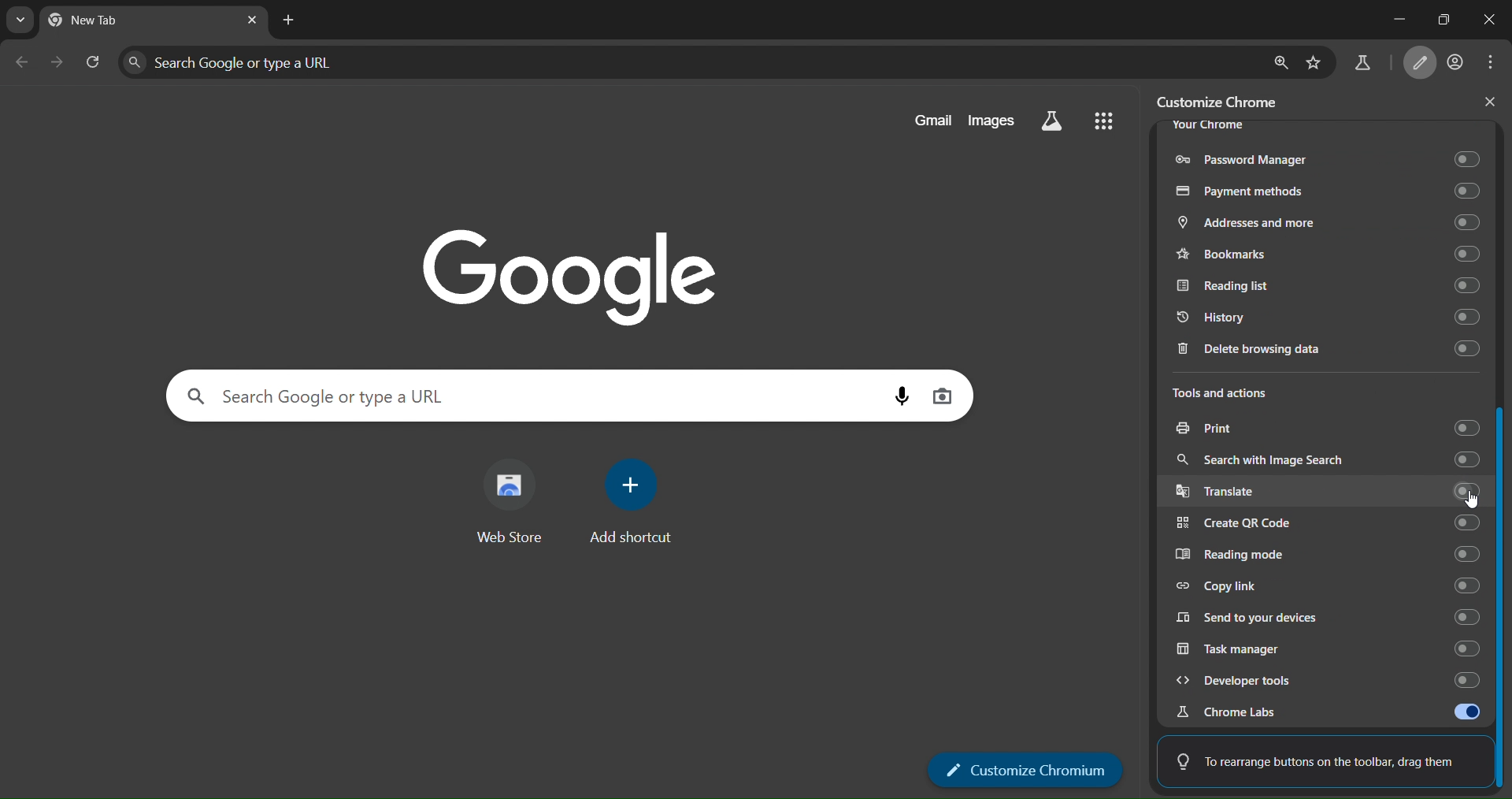 The width and height of the screenshot is (1512, 799). What do you see at coordinates (1324, 351) in the screenshot?
I see `delete browsing data` at bounding box center [1324, 351].